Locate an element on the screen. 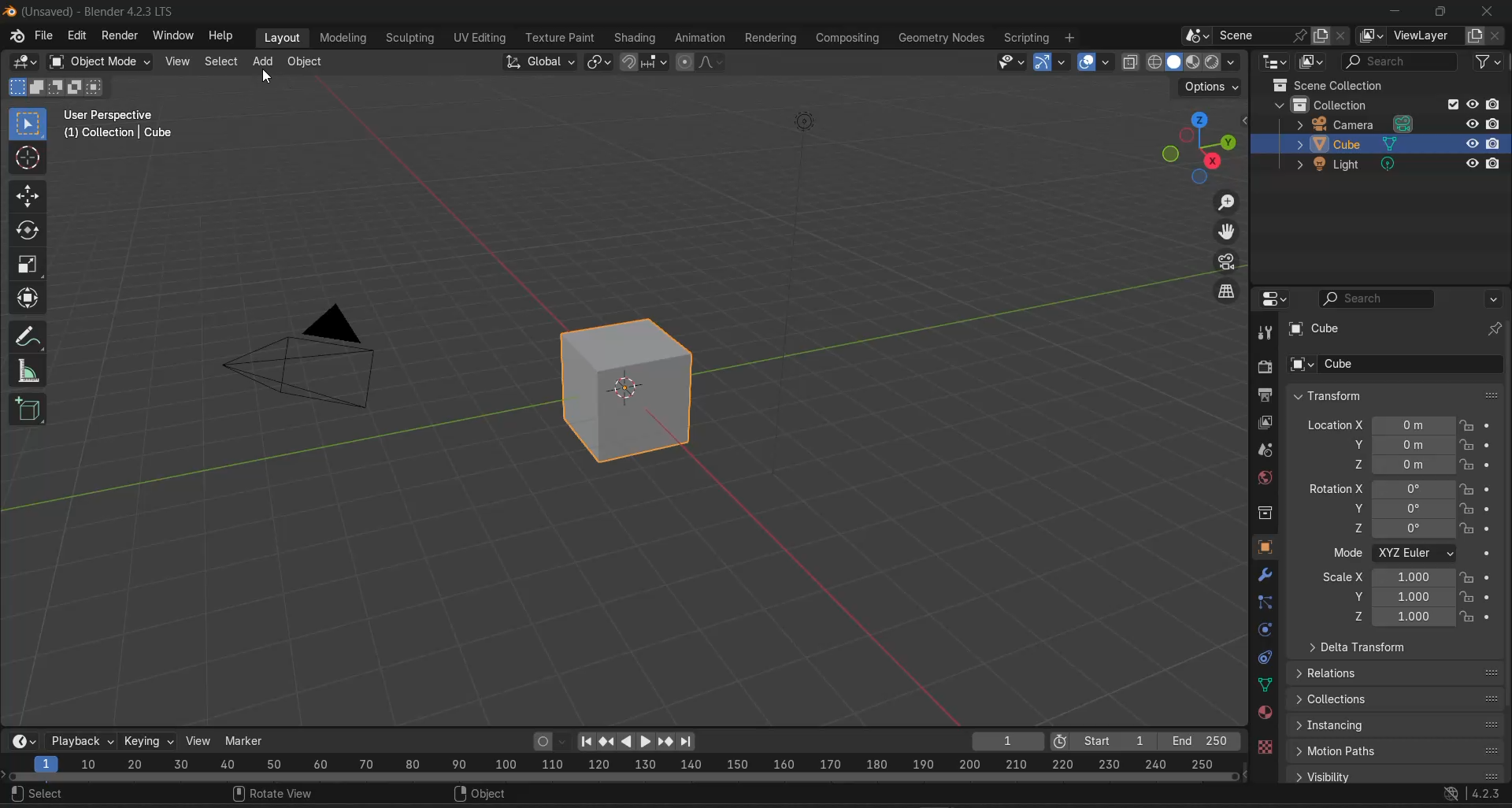 The height and width of the screenshot is (808, 1512). mode: interact existing selection is located at coordinates (96, 88).